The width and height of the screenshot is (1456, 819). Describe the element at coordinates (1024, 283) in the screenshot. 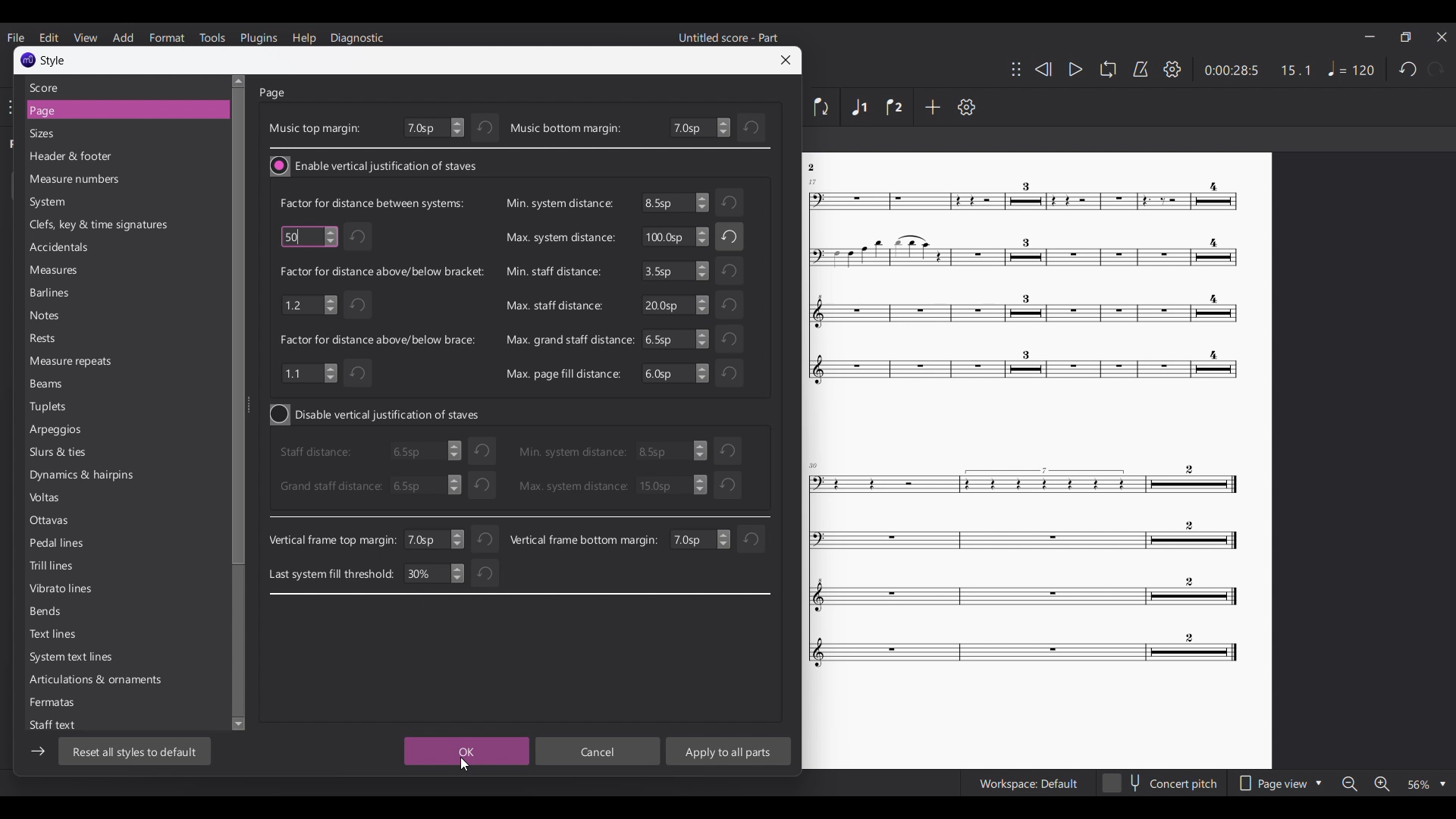

I see `` at that location.